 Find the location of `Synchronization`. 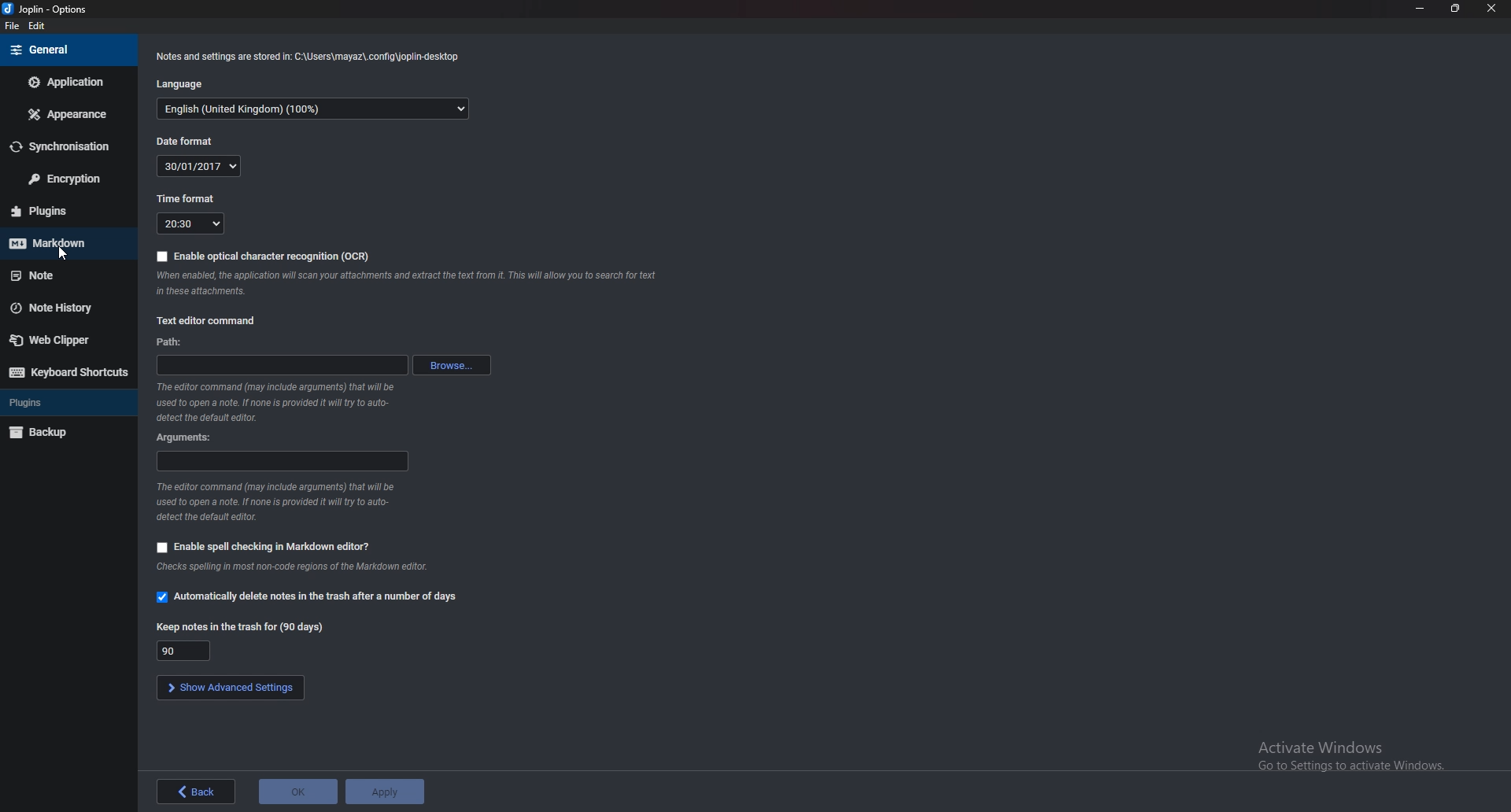

Synchronization is located at coordinates (65, 148).